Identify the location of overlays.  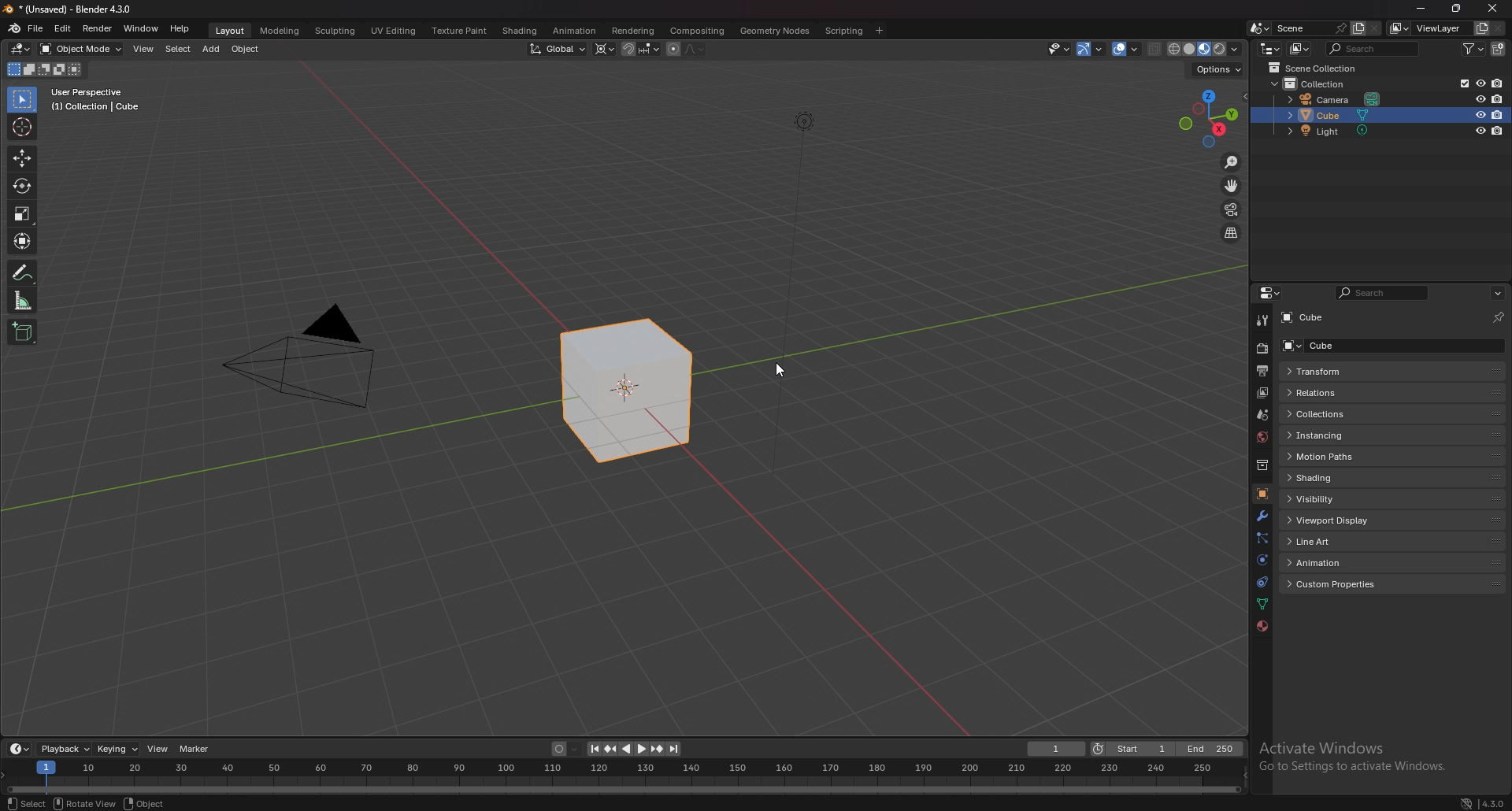
(1125, 50).